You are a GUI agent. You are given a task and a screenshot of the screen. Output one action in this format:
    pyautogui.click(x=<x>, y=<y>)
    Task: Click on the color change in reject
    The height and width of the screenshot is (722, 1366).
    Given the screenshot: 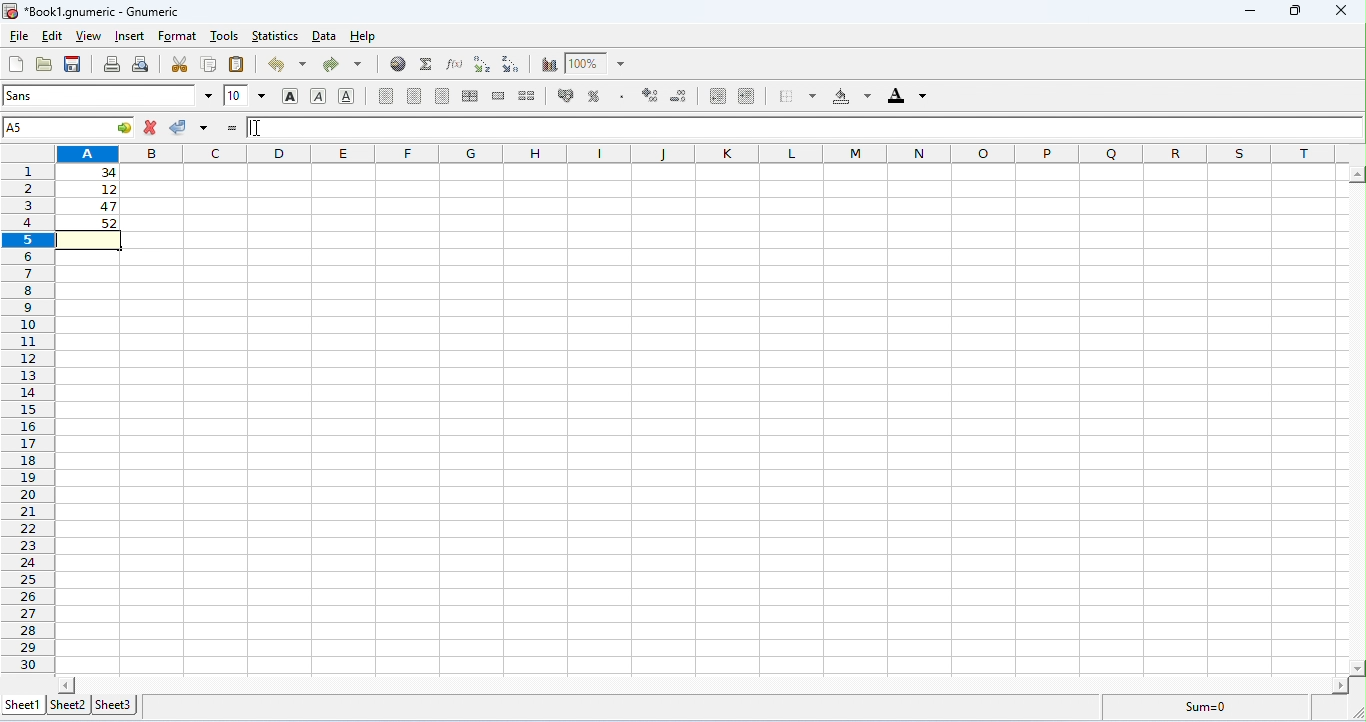 What is the action you would take?
    pyautogui.click(x=151, y=127)
    